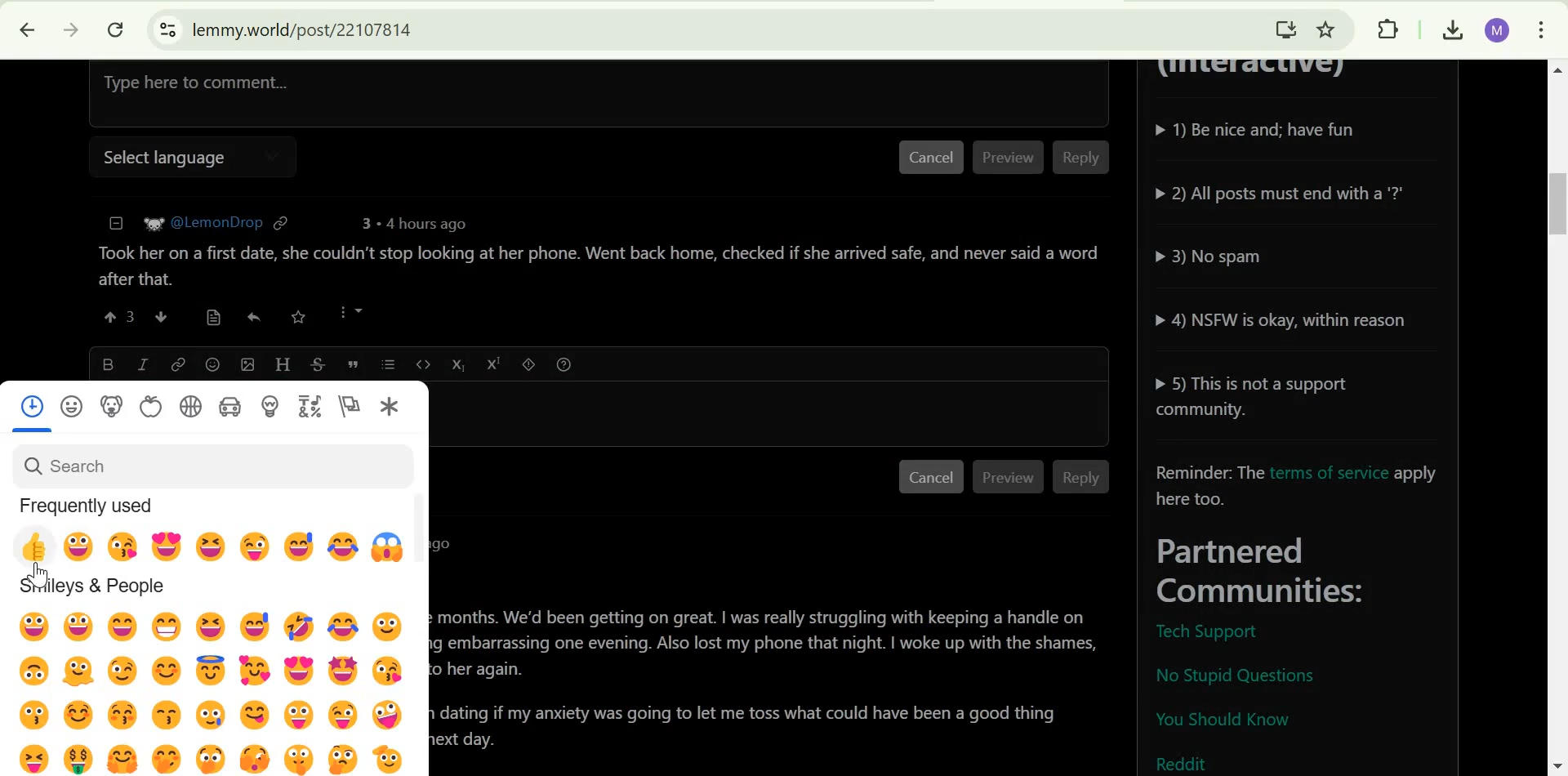 This screenshot has width=1568, height=776. Describe the element at coordinates (563, 364) in the screenshot. I see `Formatting help` at that location.